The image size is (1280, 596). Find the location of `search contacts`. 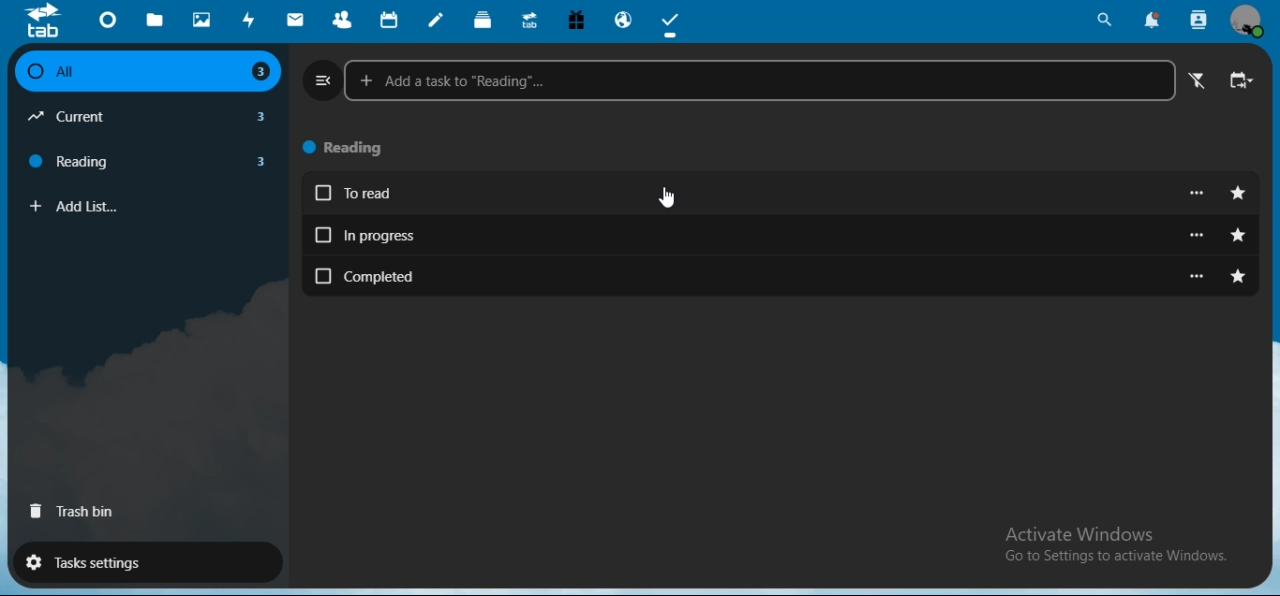

search contacts is located at coordinates (1200, 18).